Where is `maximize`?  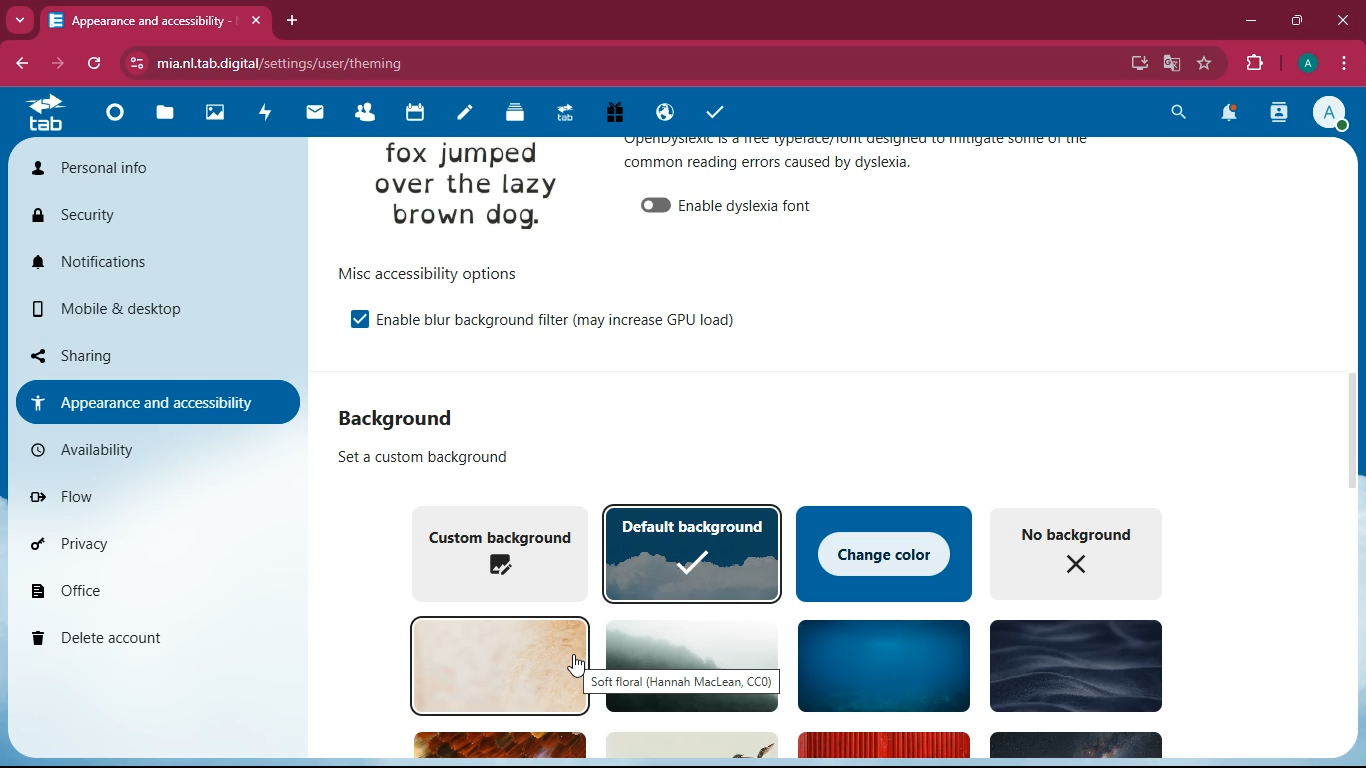
maximize is located at coordinates (1295, 21).